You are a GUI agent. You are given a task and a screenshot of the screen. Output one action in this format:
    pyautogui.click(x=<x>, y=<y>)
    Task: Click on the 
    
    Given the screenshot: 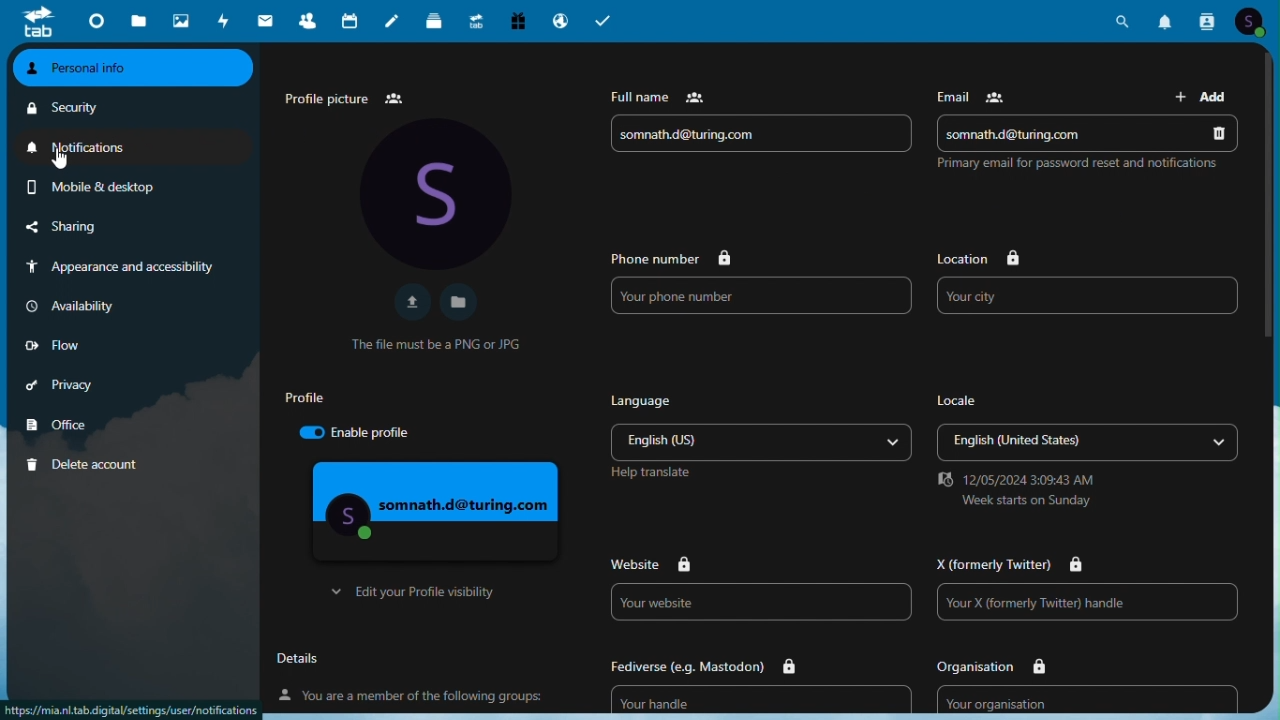 What is the action you would take?
    pyautogui.click(x=756, y=452)
    